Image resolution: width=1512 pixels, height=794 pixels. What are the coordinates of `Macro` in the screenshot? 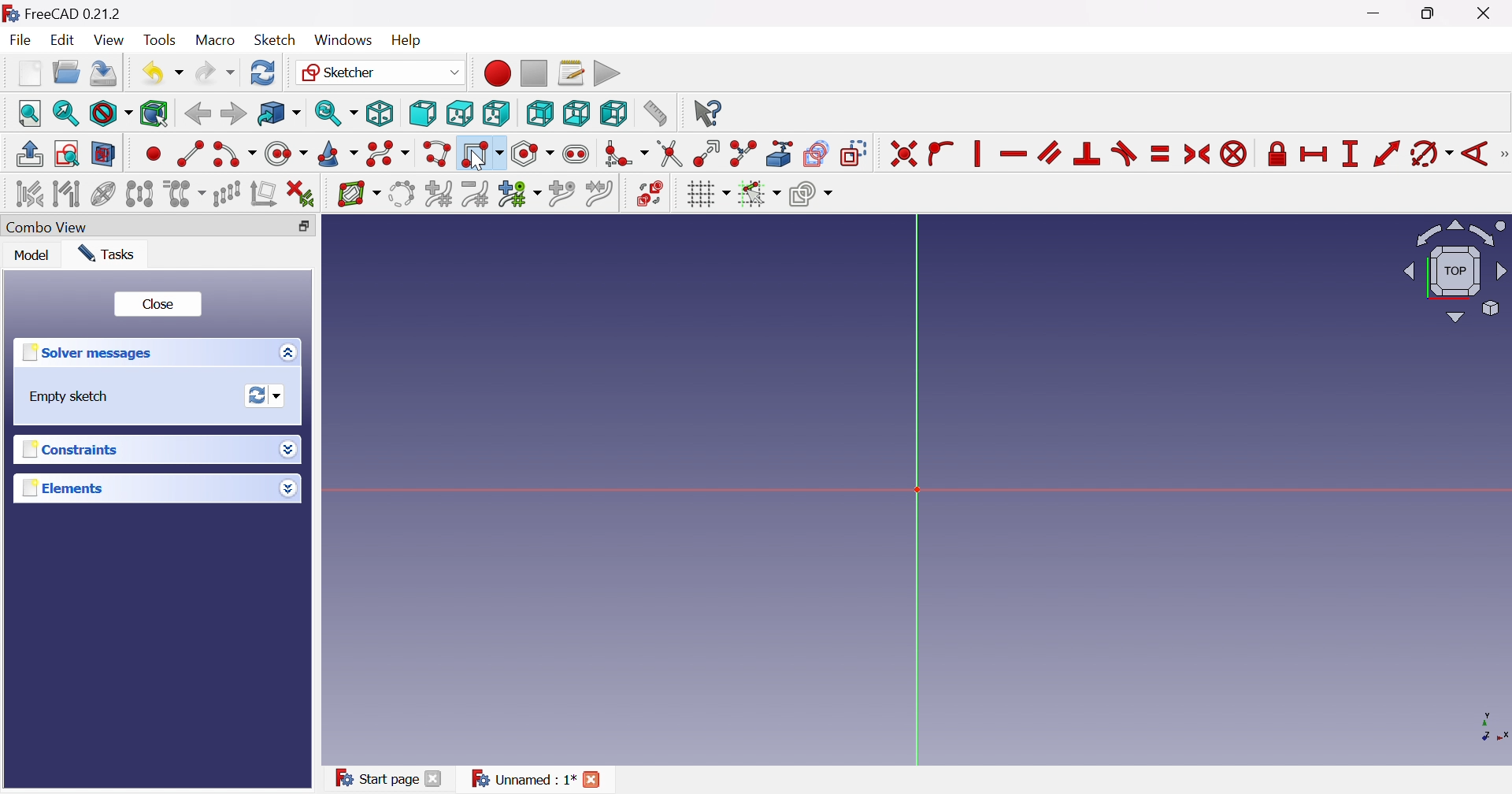 It's located at (213, 40).